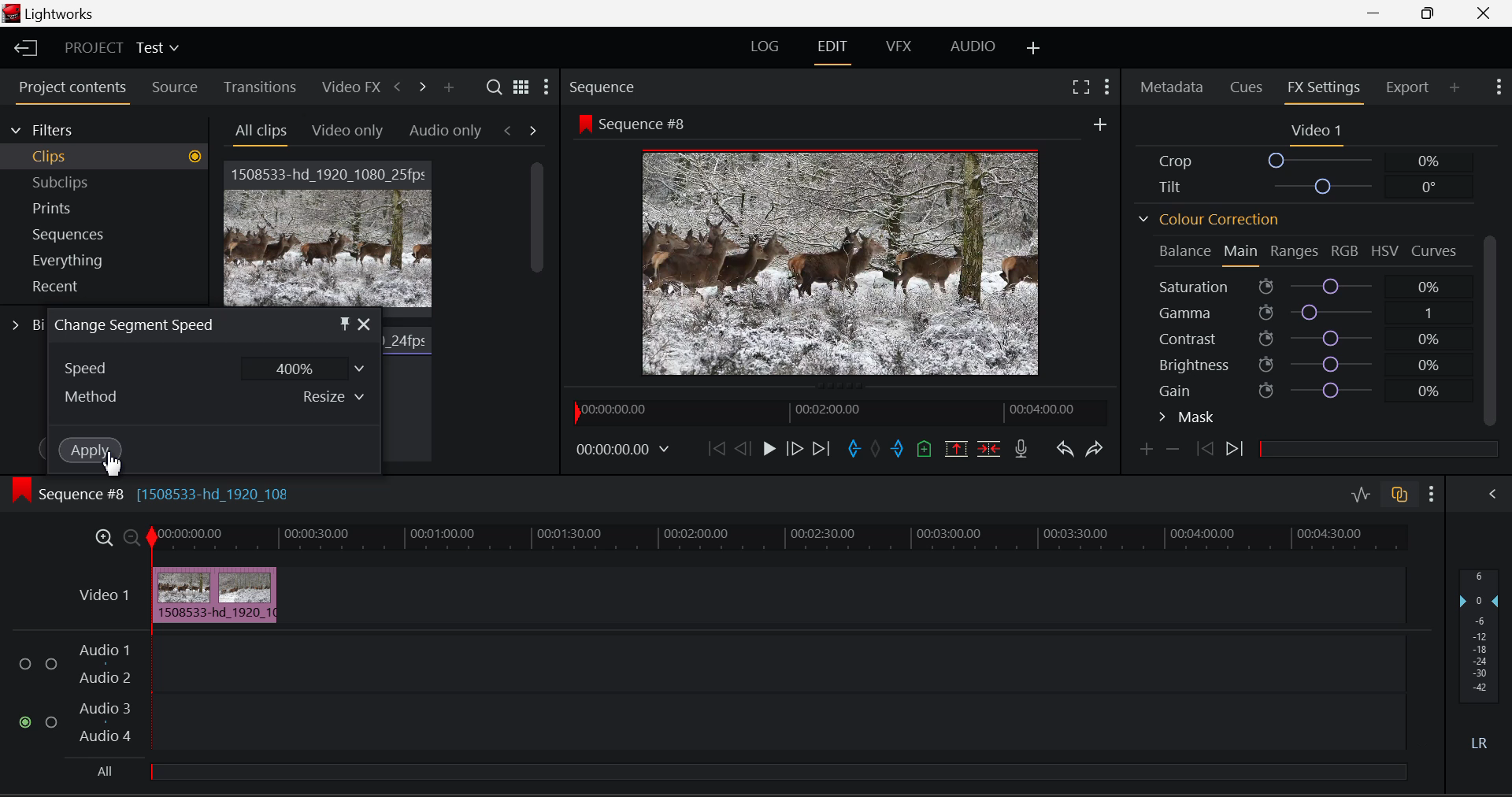 The image size is (1512, 797). What do you see at coordinates (114, 182) in the screenshot?
I see `Subclips` at bounding box center [114, 182].